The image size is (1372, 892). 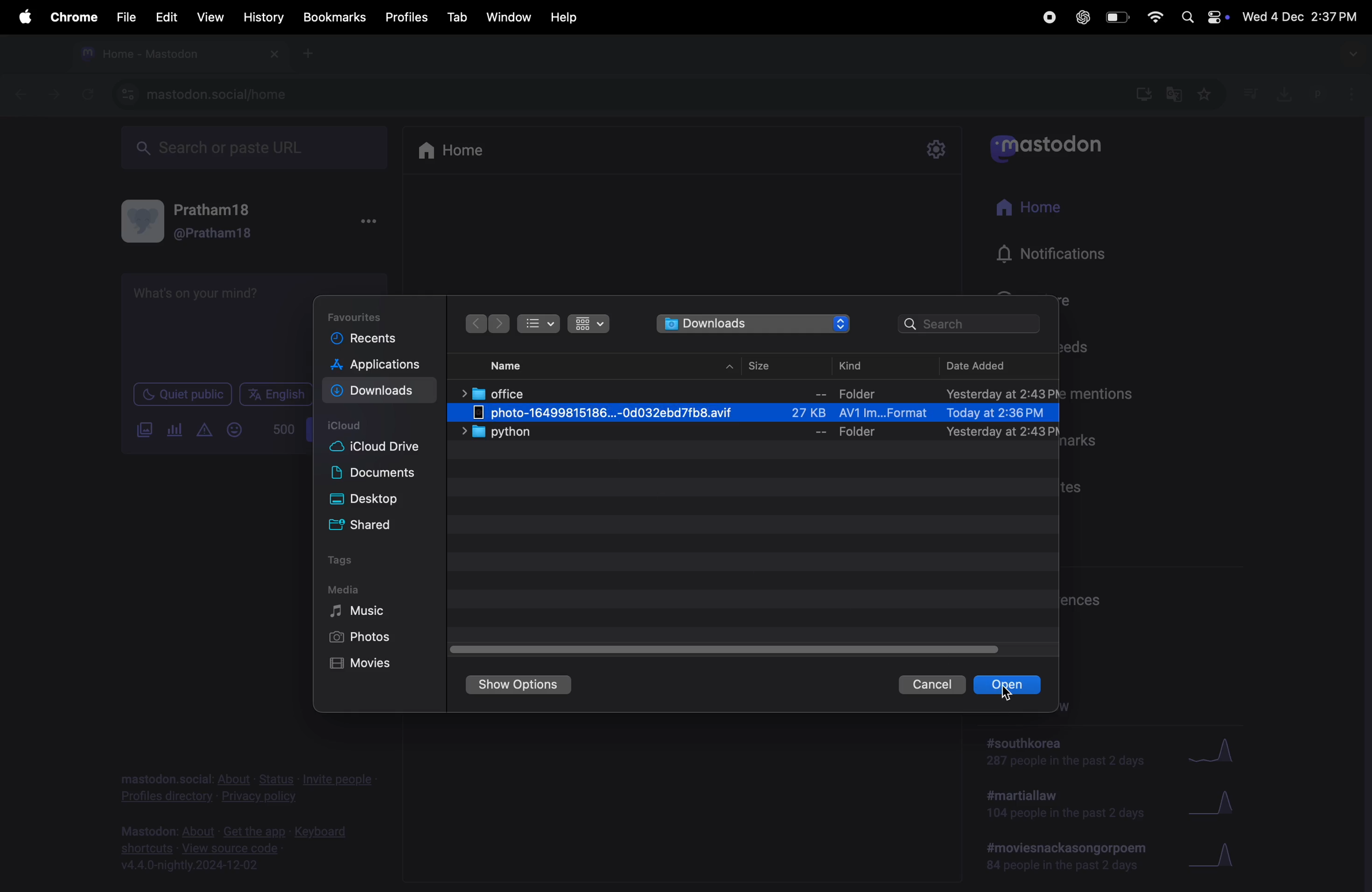 I want to click on backward, so click(x=22, y=93).